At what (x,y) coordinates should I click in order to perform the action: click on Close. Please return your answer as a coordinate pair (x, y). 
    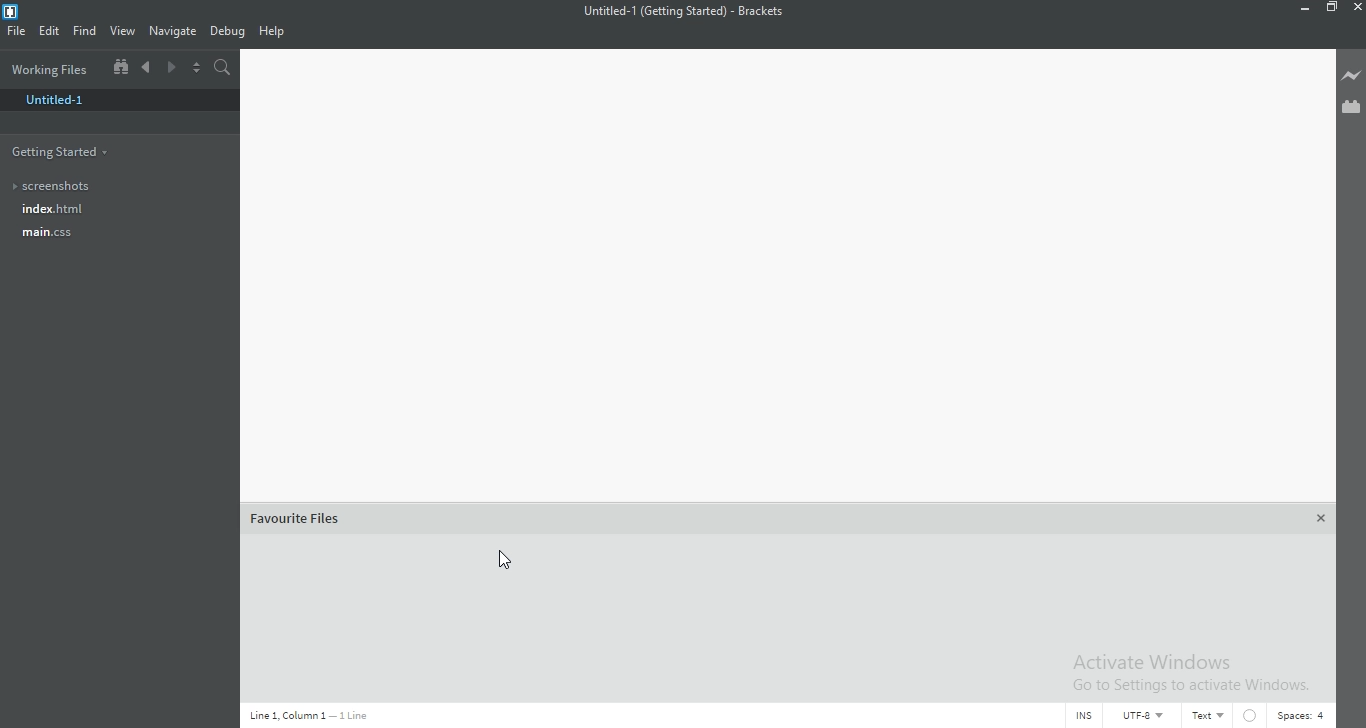
    Looking at the image, I should click on (1357, 8).